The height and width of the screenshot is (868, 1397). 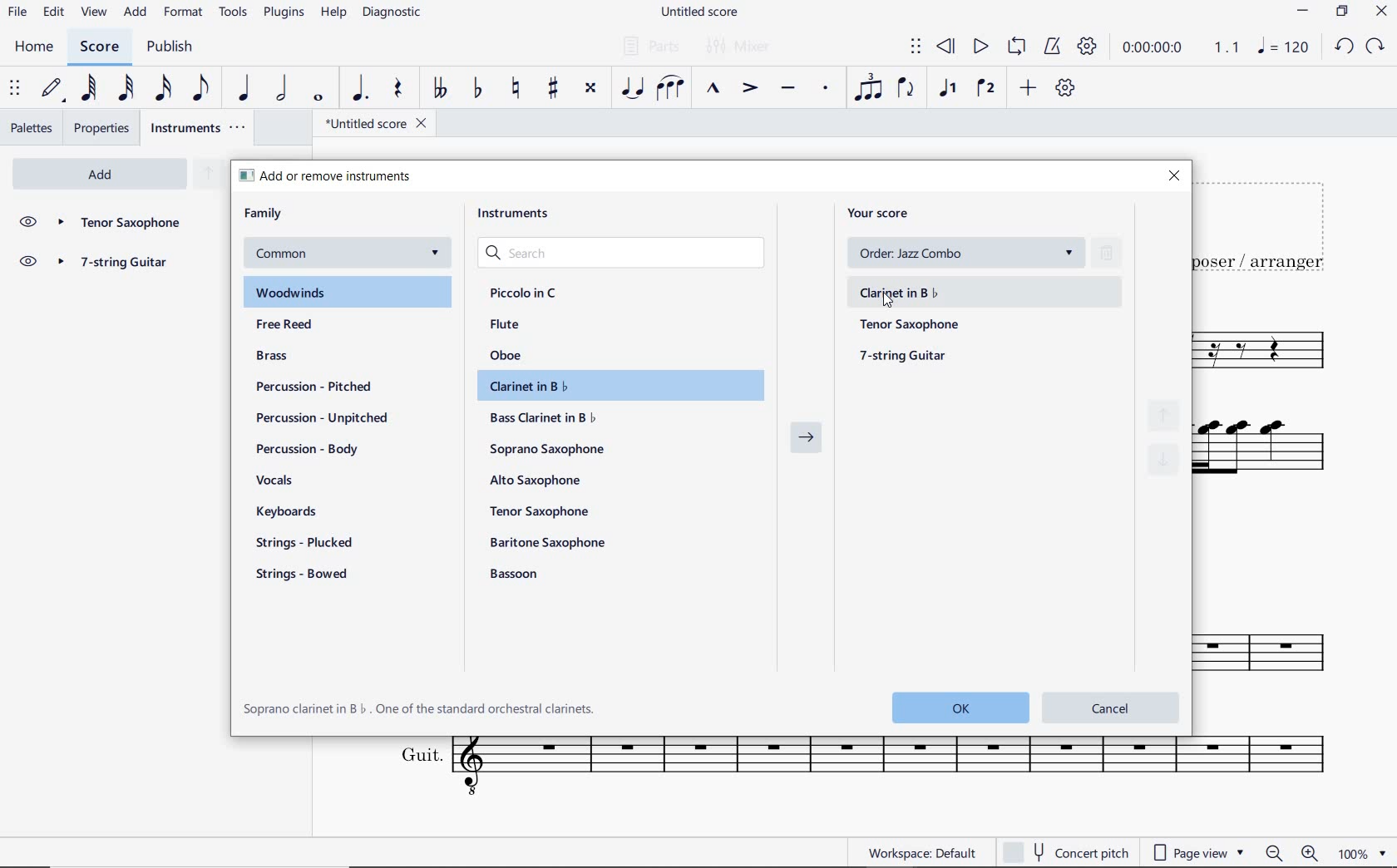 I want to click on AUGMENTATION DOT, so click(x=361, y=89).